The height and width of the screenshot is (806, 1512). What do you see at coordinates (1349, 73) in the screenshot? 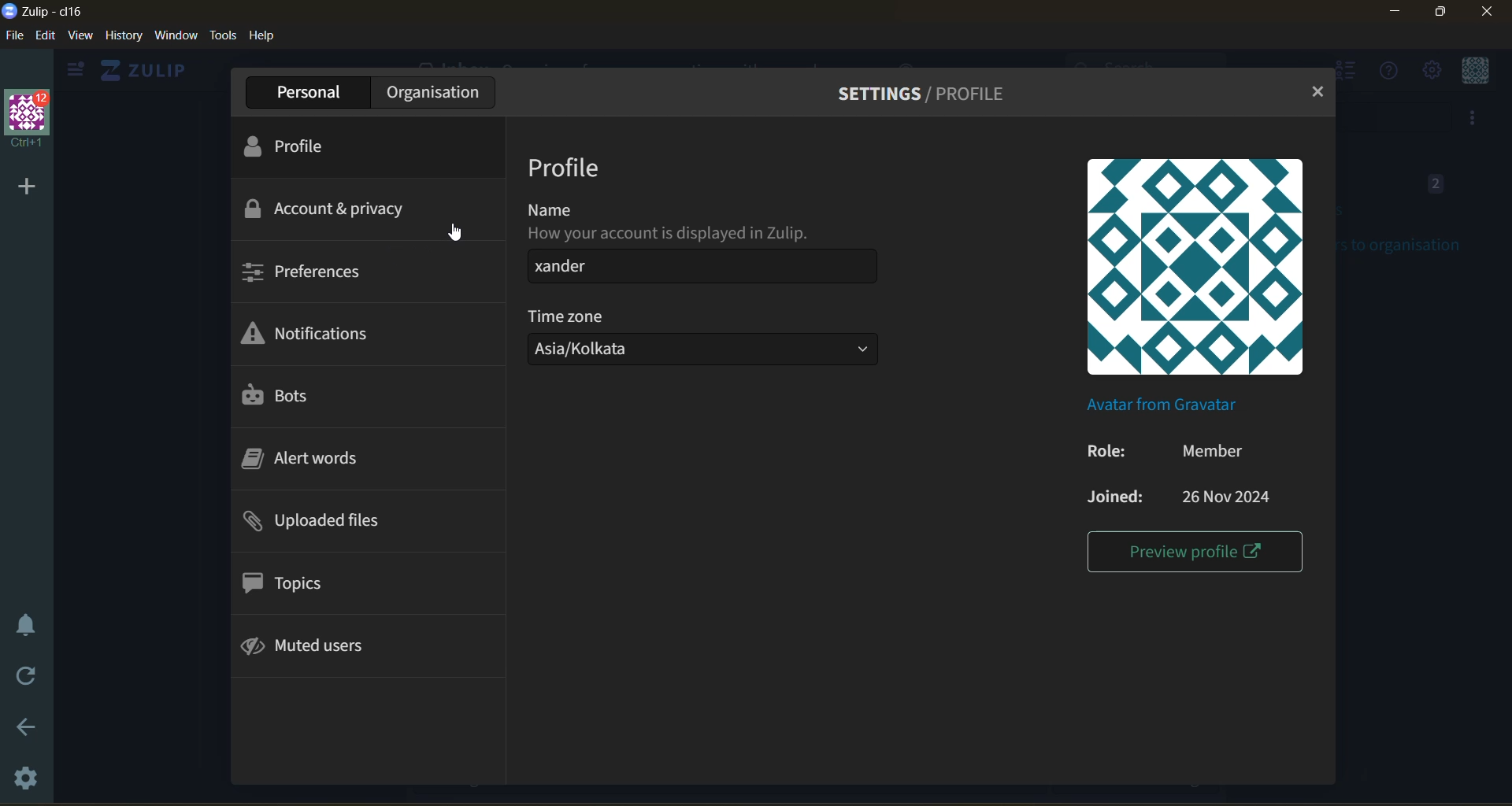
I see `hide user list` at bounding box center [1349, 73].